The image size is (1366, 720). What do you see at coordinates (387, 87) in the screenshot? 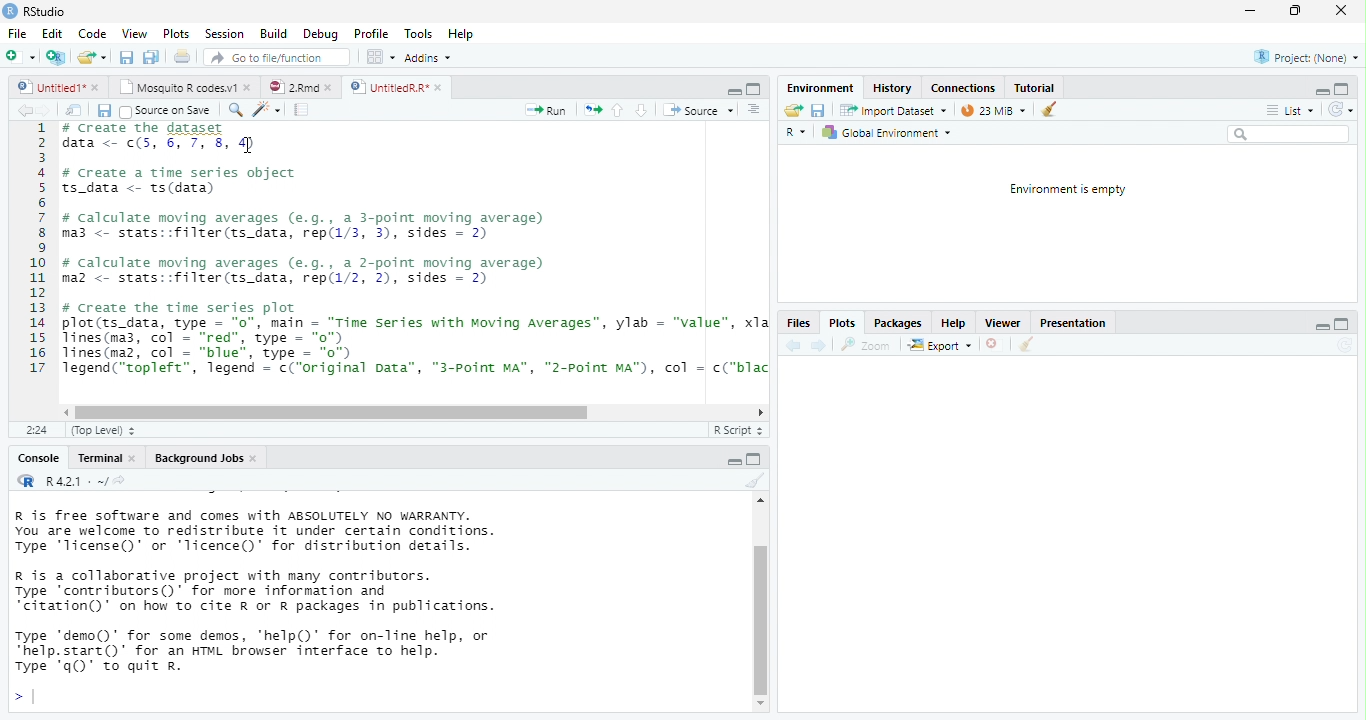
I see `UntitiedR.R"` at bounding box center [387, 87].